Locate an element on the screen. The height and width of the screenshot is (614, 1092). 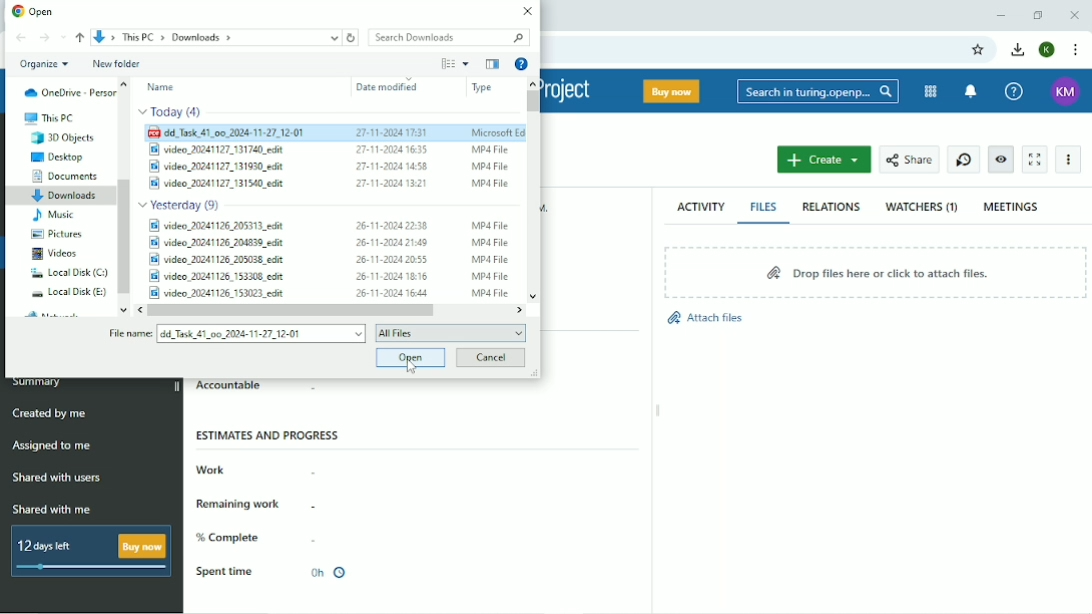
Minimize is located at coordinates (1001, 15).